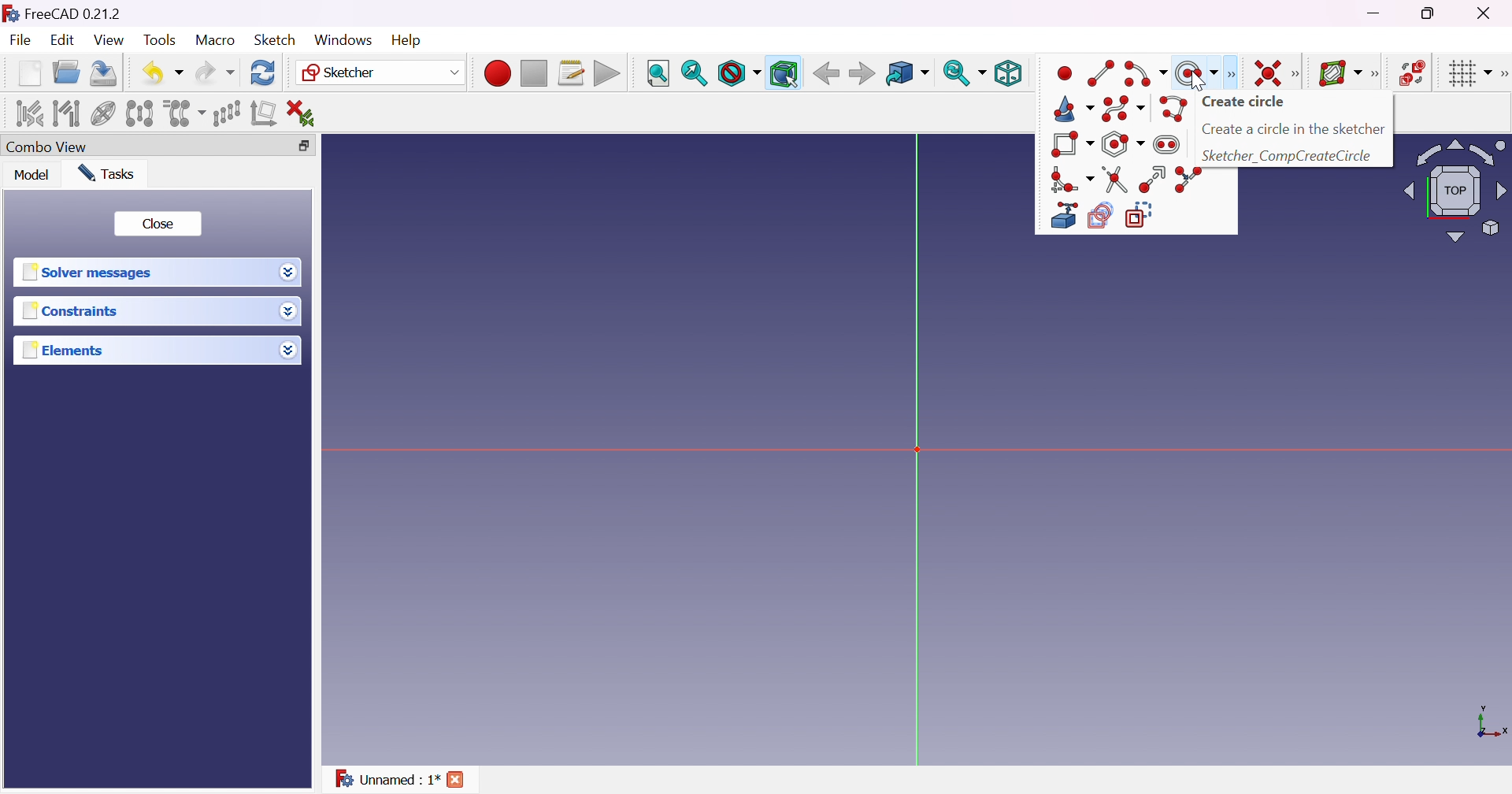  I want to click on Back, so click(861, 73).